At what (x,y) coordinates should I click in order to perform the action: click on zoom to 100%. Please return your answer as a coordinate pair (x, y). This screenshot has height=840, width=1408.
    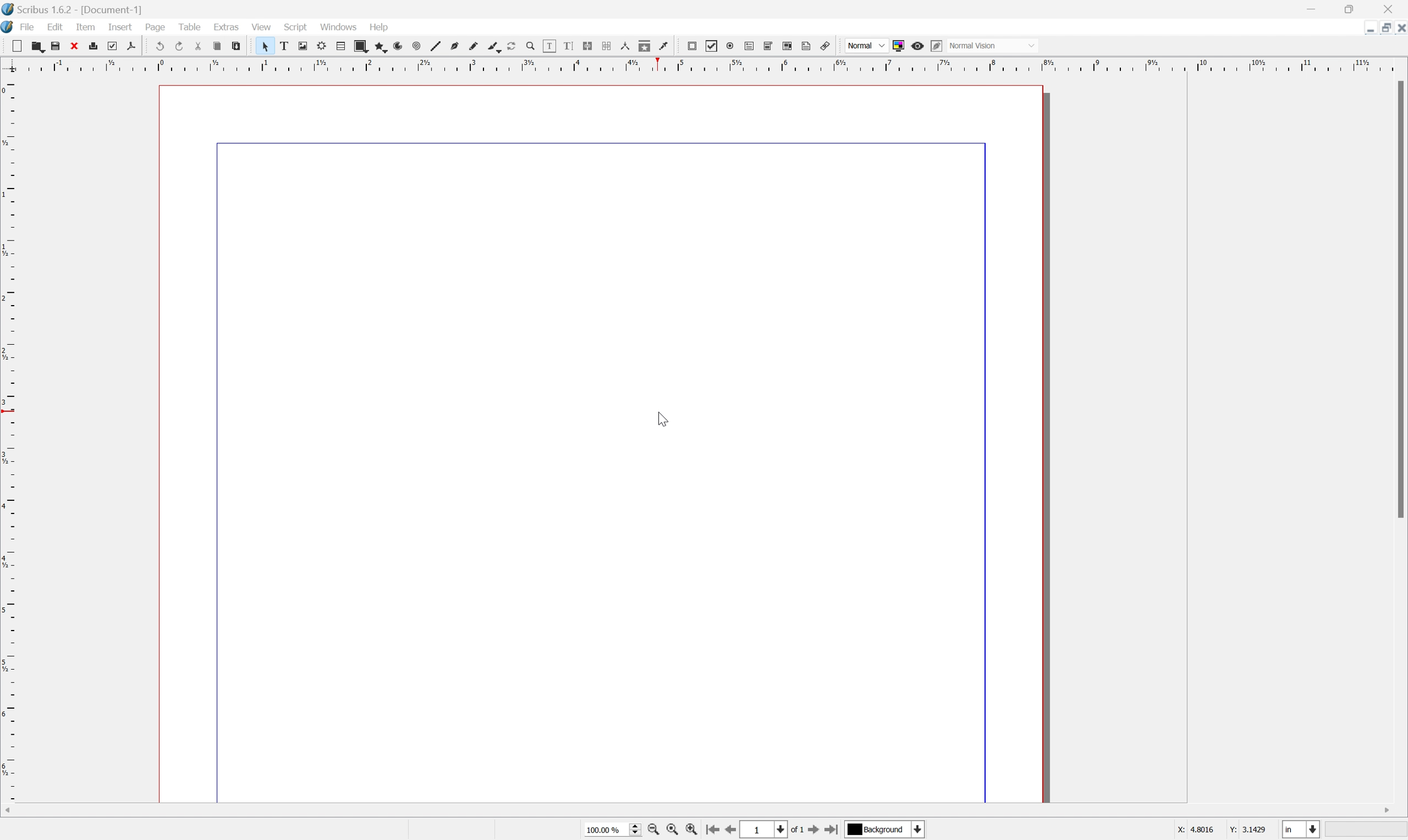
    Looking at the image, I should click on (652, 830).